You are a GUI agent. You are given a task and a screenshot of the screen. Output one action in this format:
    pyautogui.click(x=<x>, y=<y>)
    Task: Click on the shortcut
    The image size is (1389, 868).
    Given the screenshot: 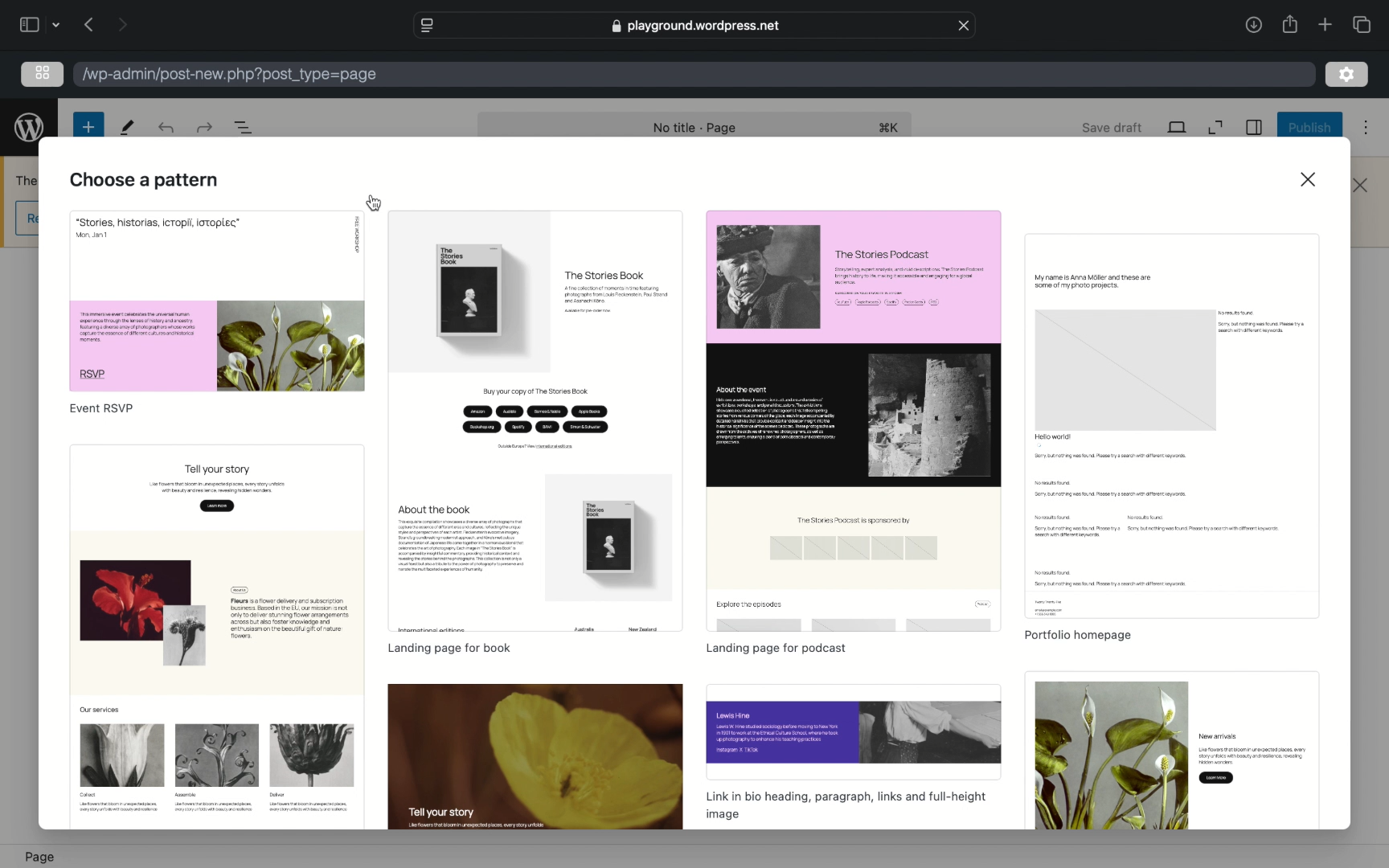 What is the action you would take?
    pyautogui.click(x=887, y=127)
    